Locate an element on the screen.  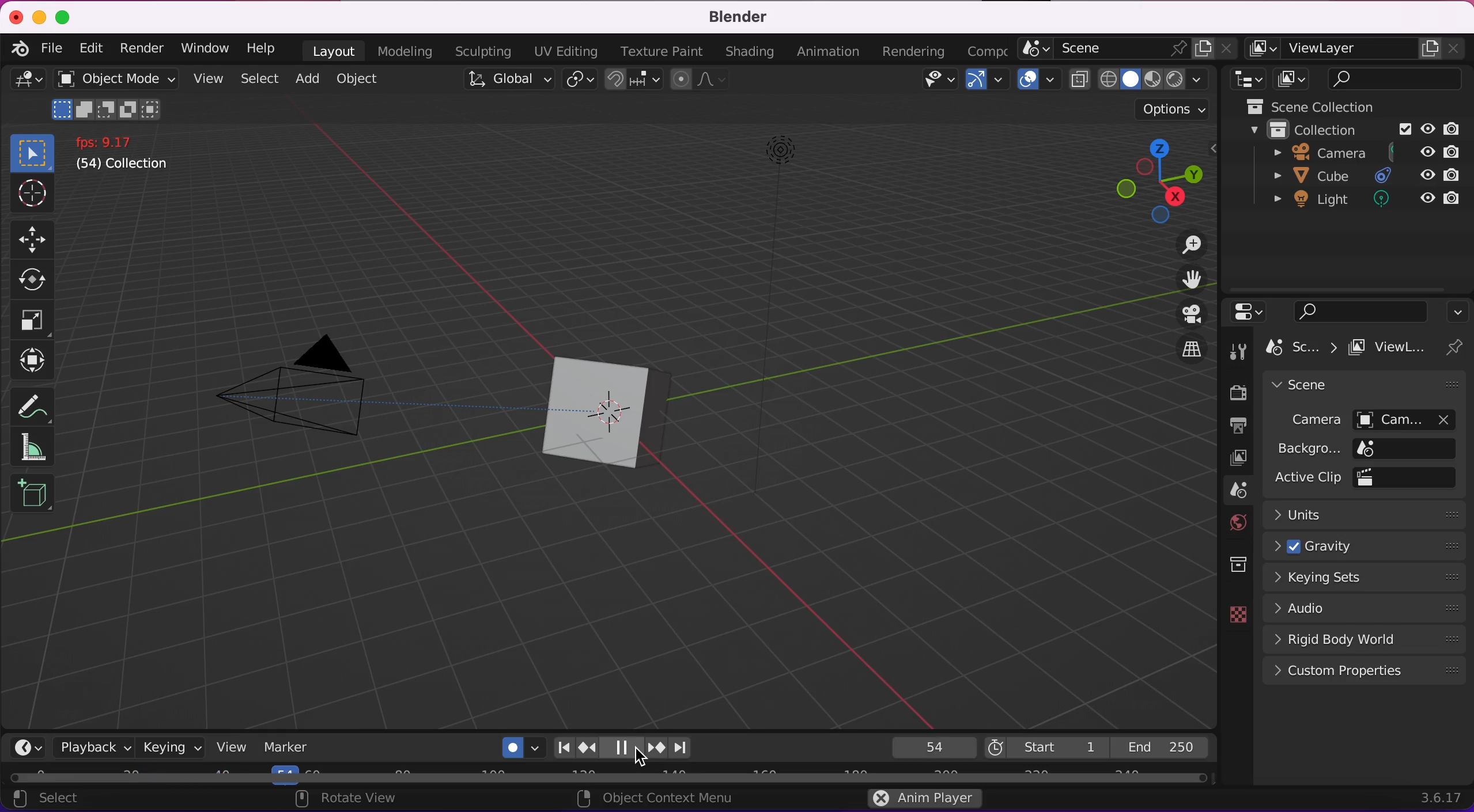
view is located at coordinates (229, 749).